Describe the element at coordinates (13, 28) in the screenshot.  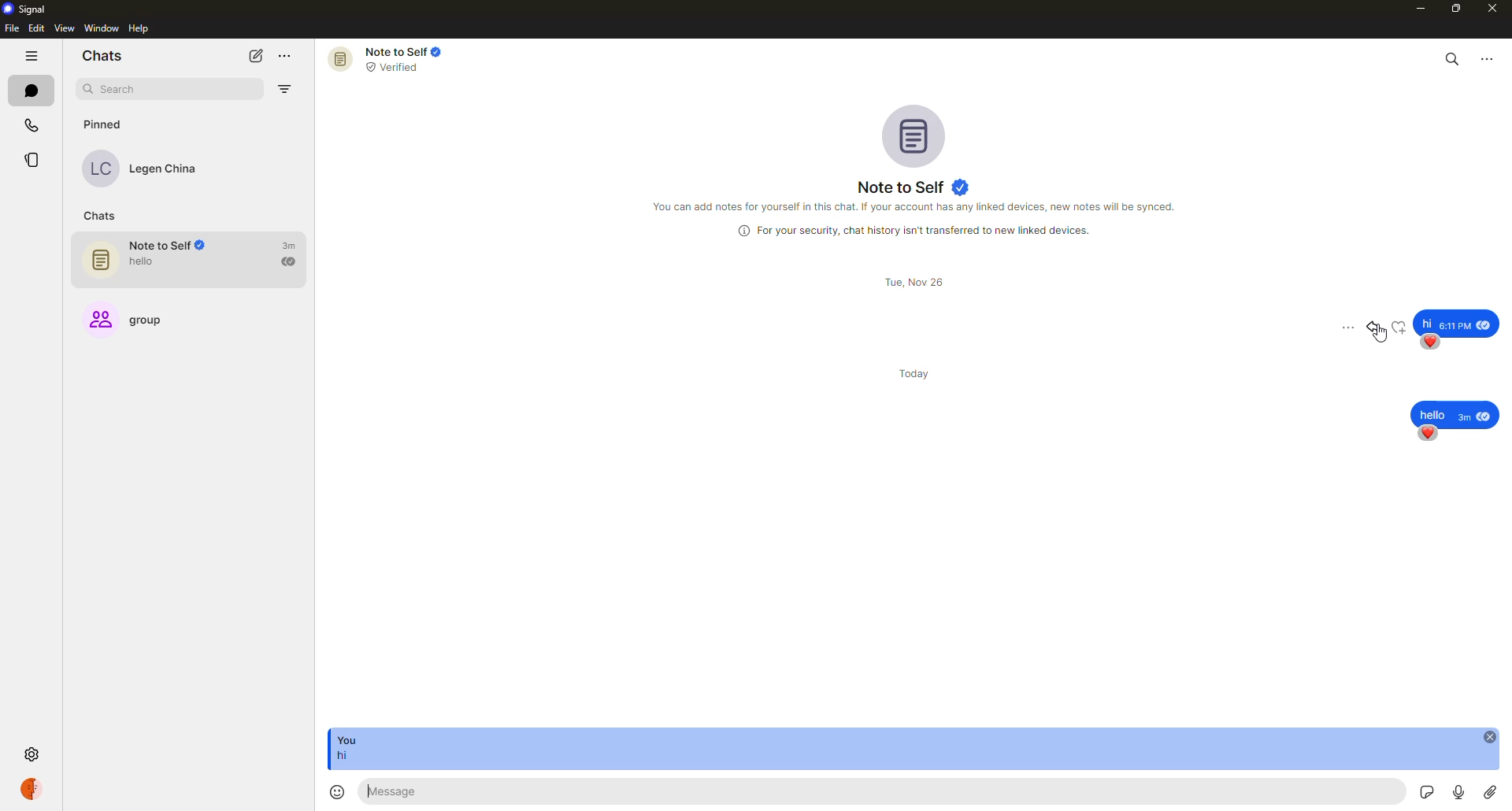
I see `file` at that location.